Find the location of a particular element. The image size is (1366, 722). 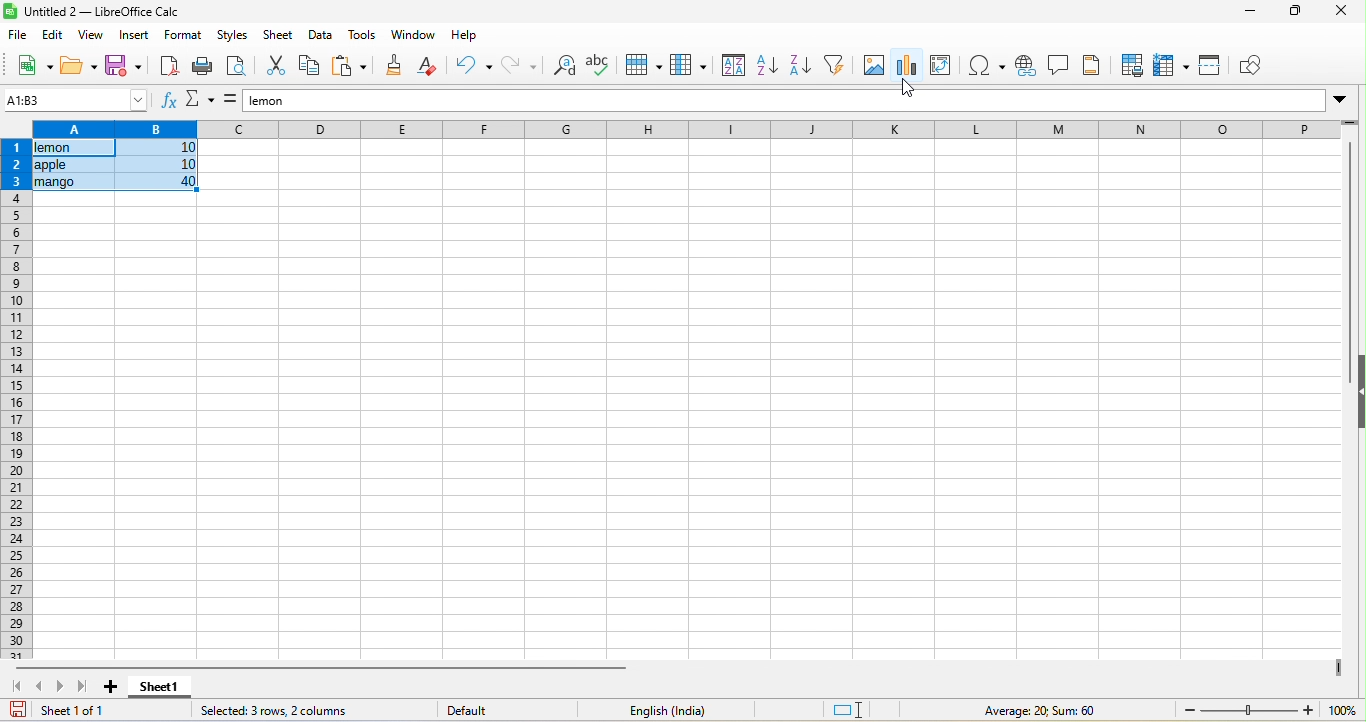

sort ascending is located at coordinates (770, 67).